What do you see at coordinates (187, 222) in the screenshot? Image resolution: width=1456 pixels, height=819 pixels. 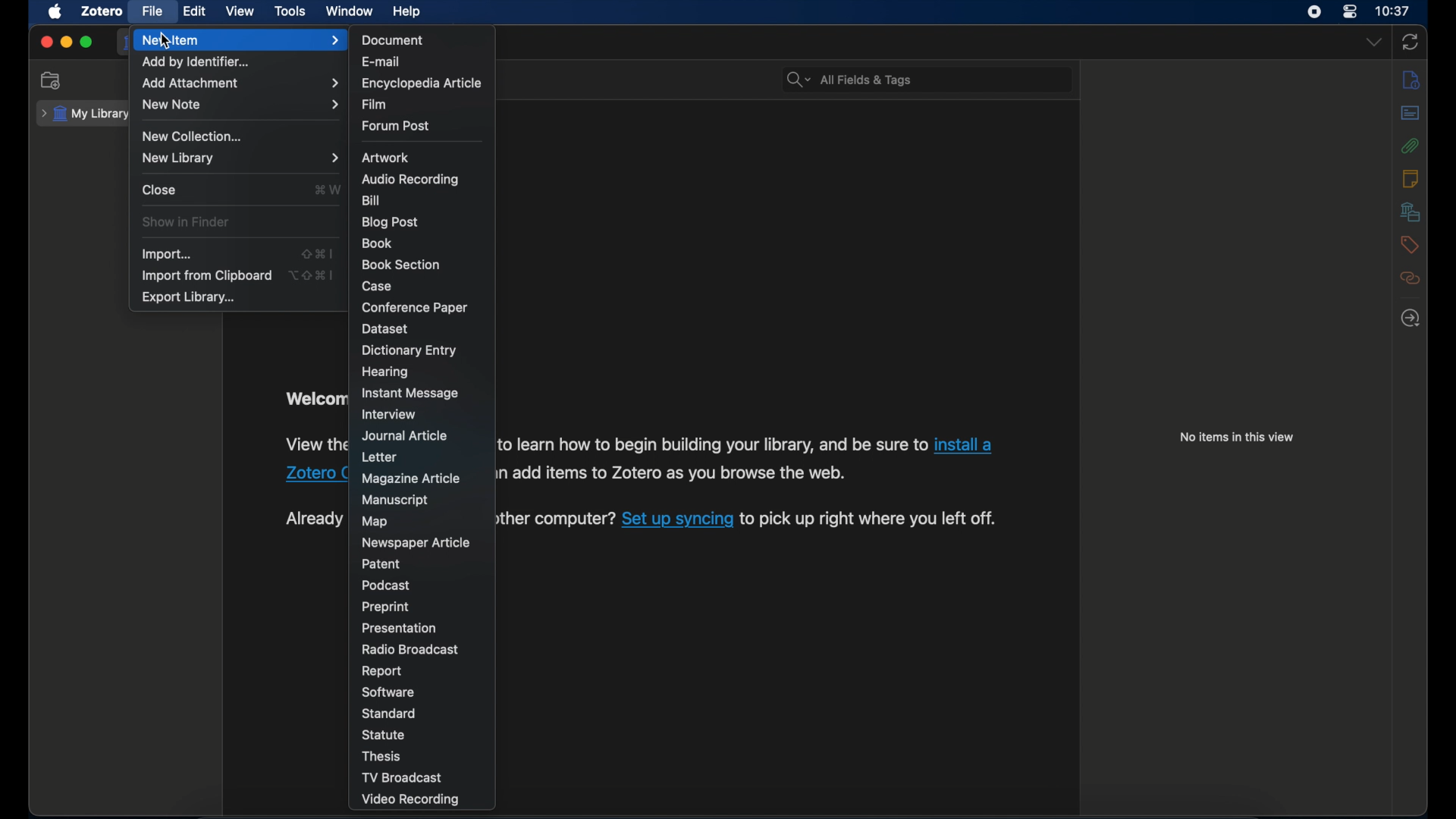 I see `show in finder` at bounding box center [187, 222].